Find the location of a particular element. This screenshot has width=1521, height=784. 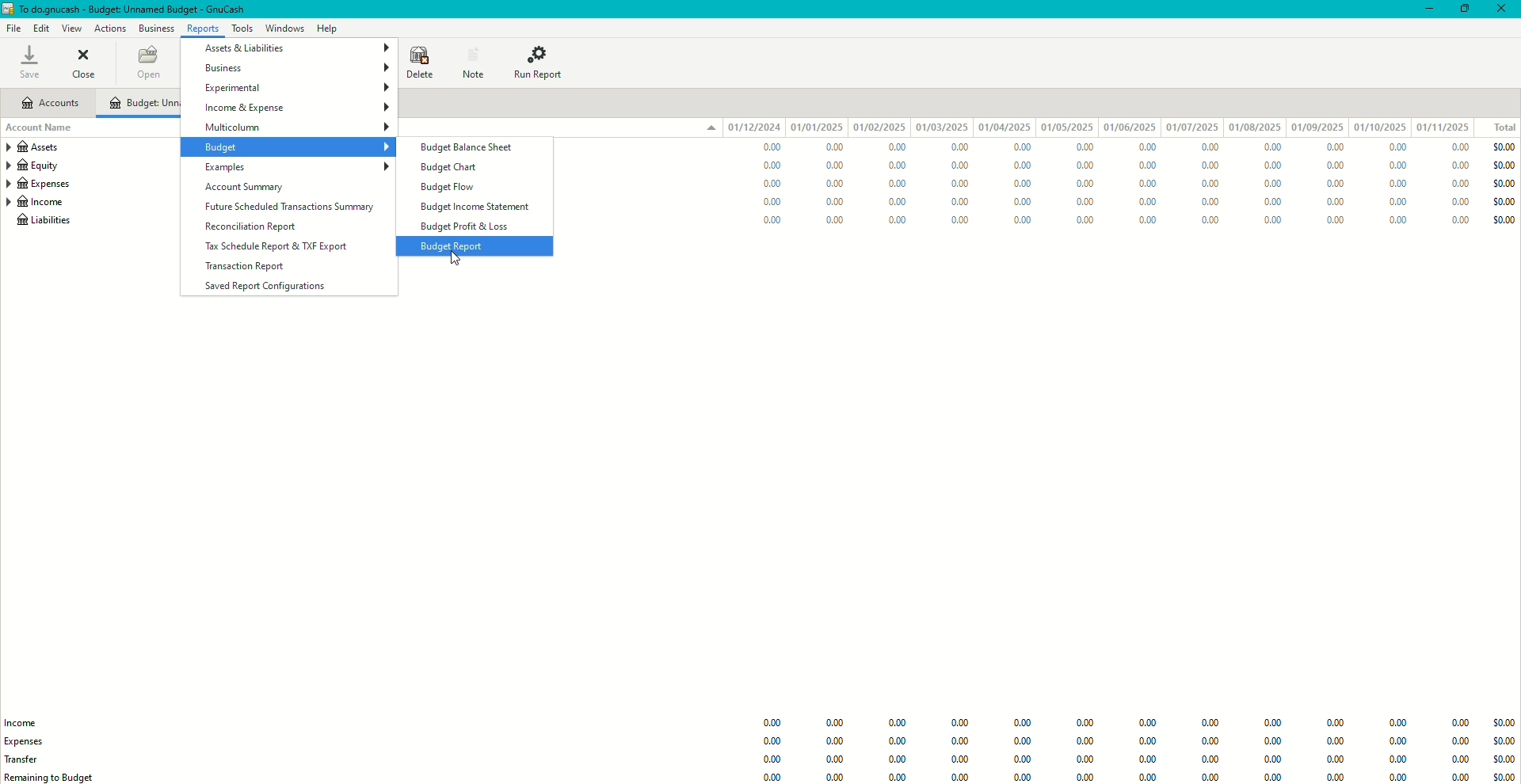

0.00 is located at coordinates (1273, 741).